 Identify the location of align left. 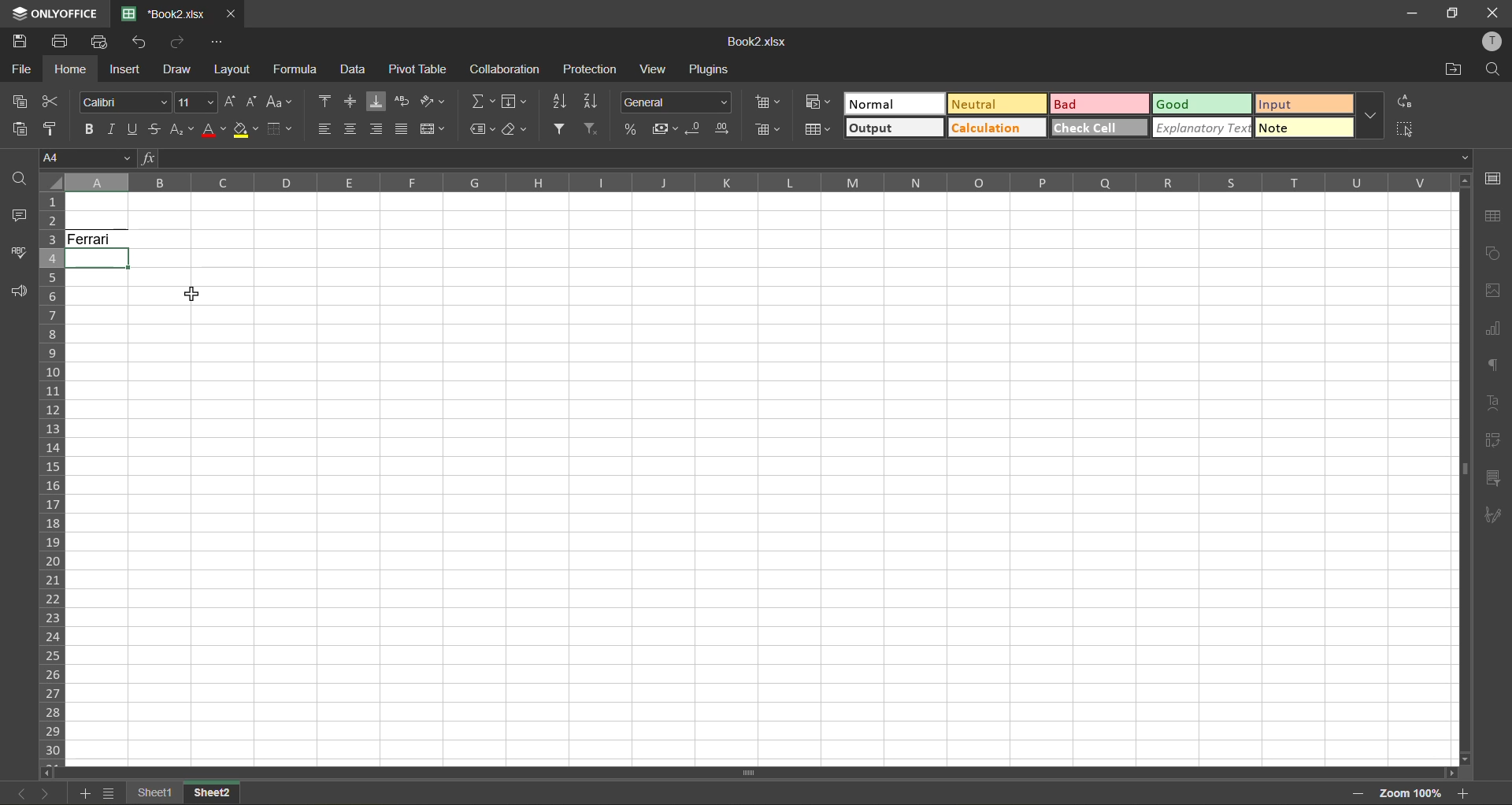
(325, 129).